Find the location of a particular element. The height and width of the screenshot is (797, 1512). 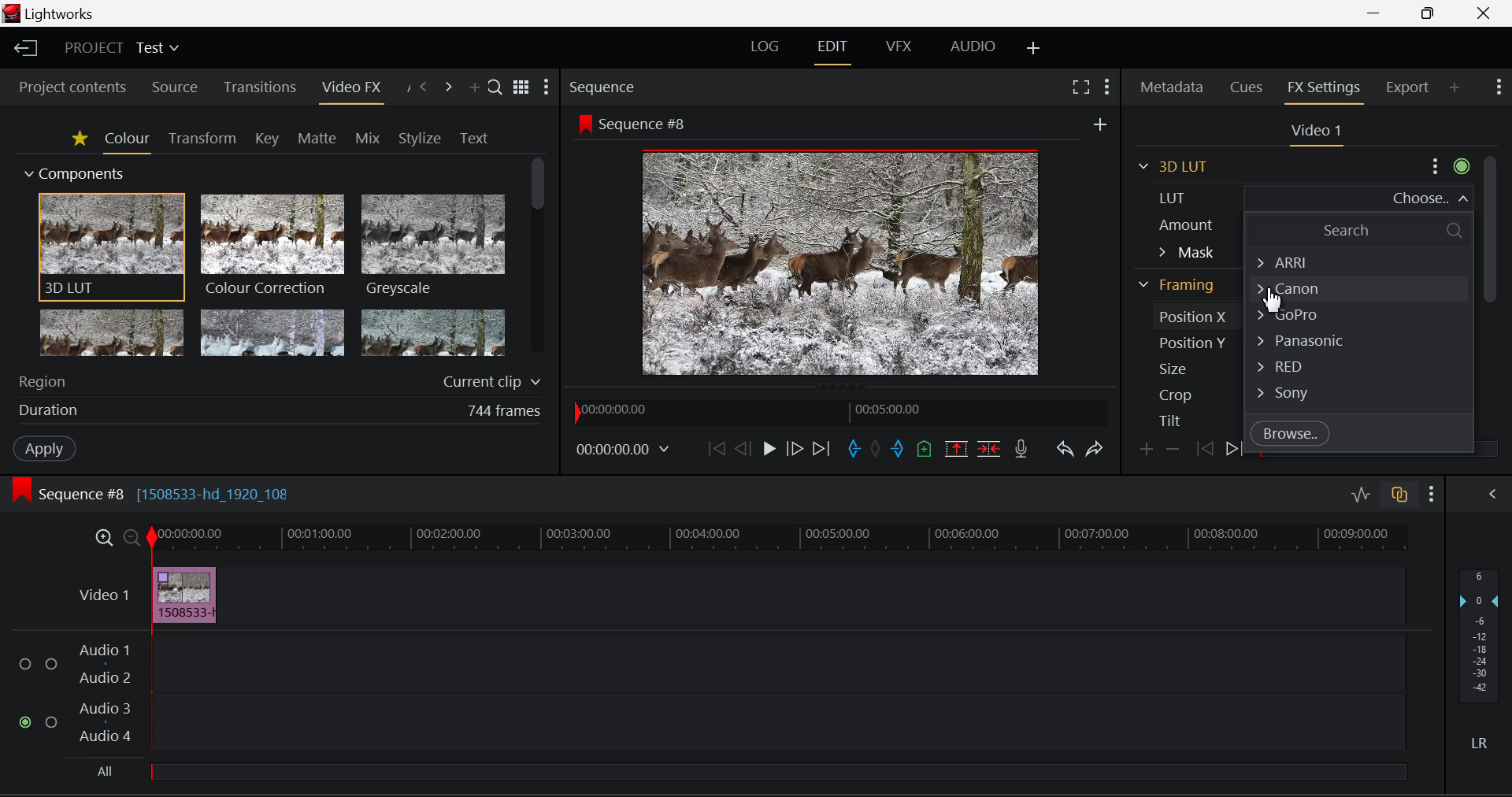

Region is located at coordinates (277, 380).